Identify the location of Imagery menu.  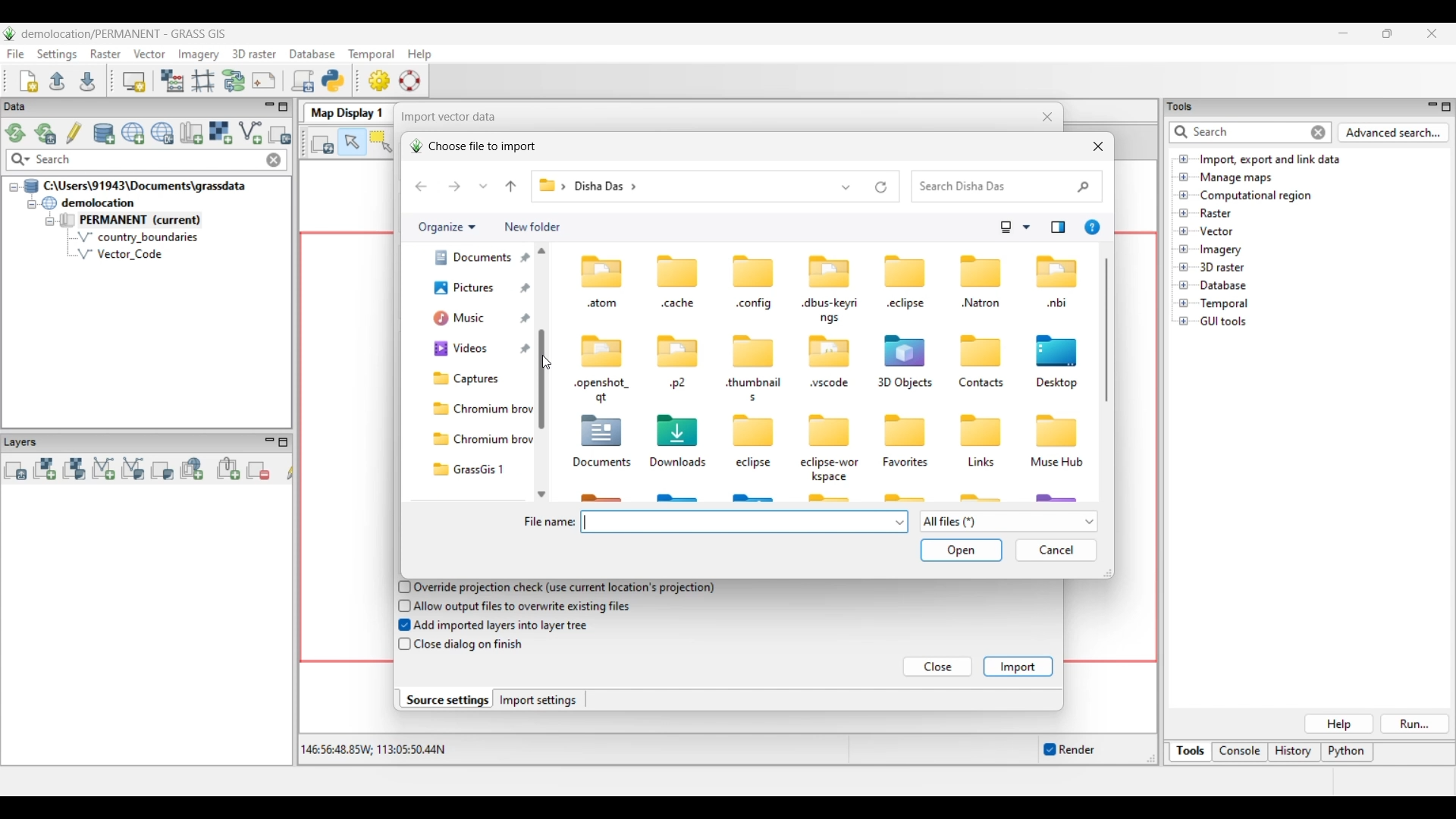
(199, 55).